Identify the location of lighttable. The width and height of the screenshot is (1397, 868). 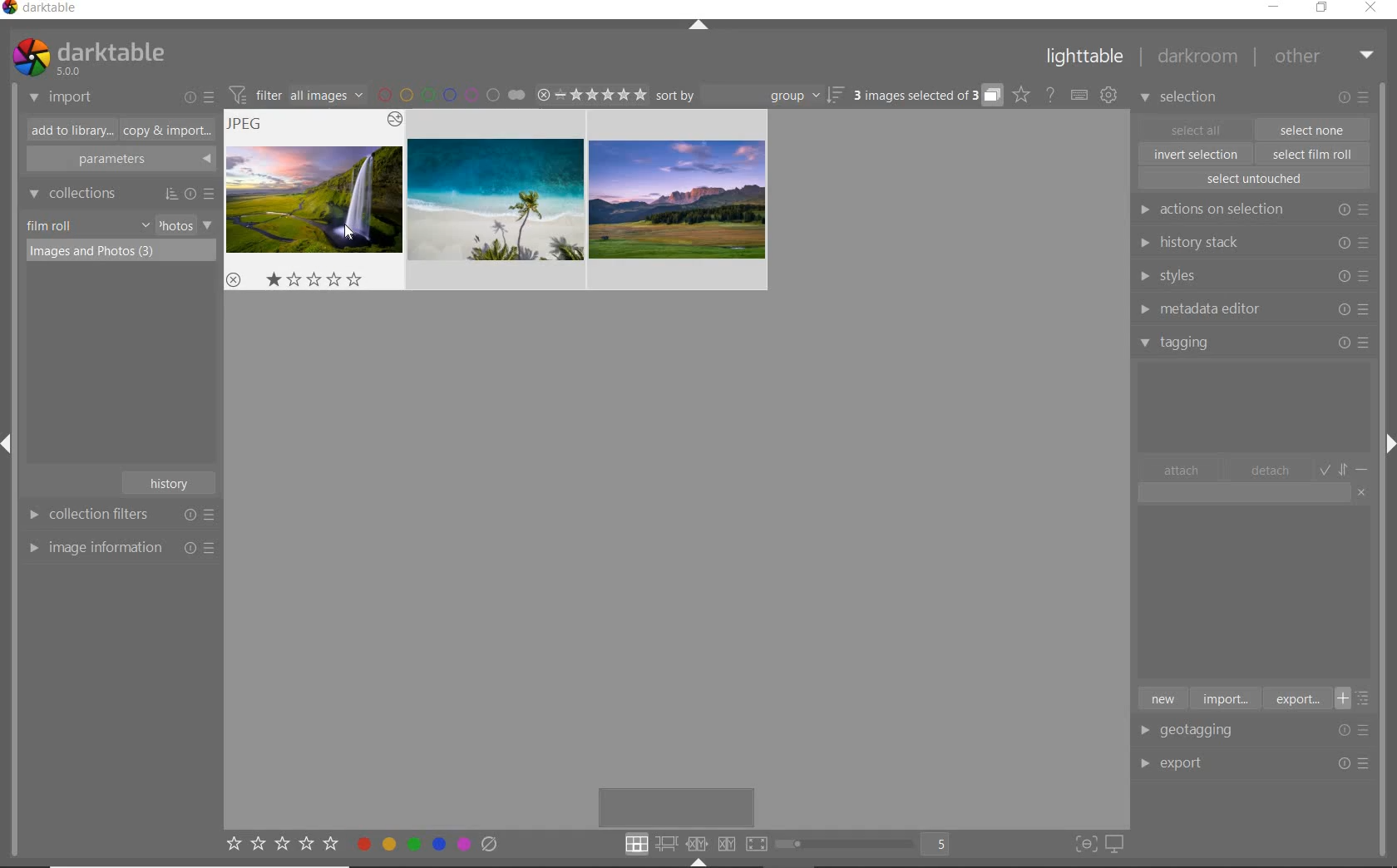
(1085, 60).